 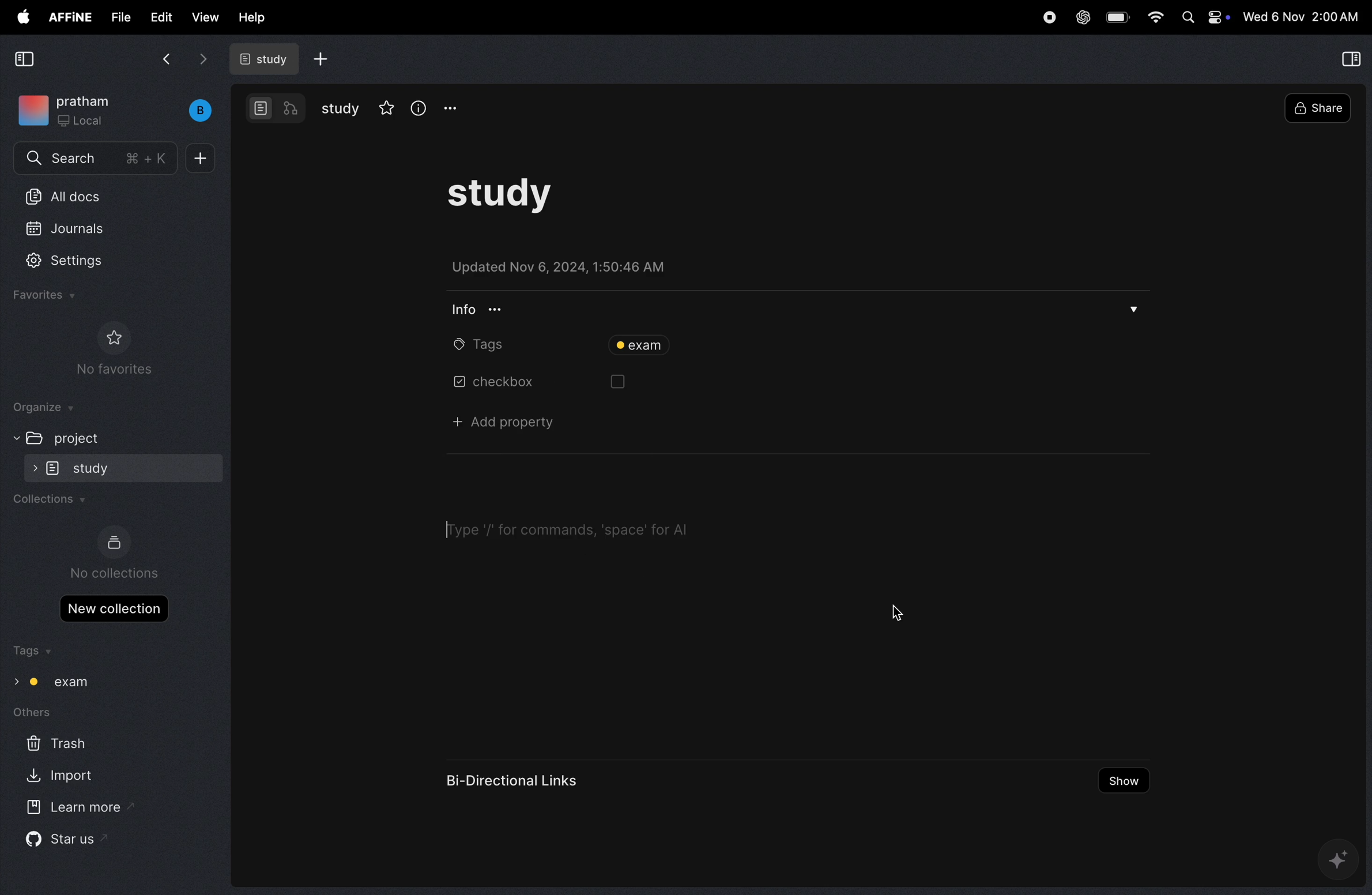 What do you see at coordinates (1301, 18) in the screenshot?
I see `time and date` at bounding box center [1301, 18].